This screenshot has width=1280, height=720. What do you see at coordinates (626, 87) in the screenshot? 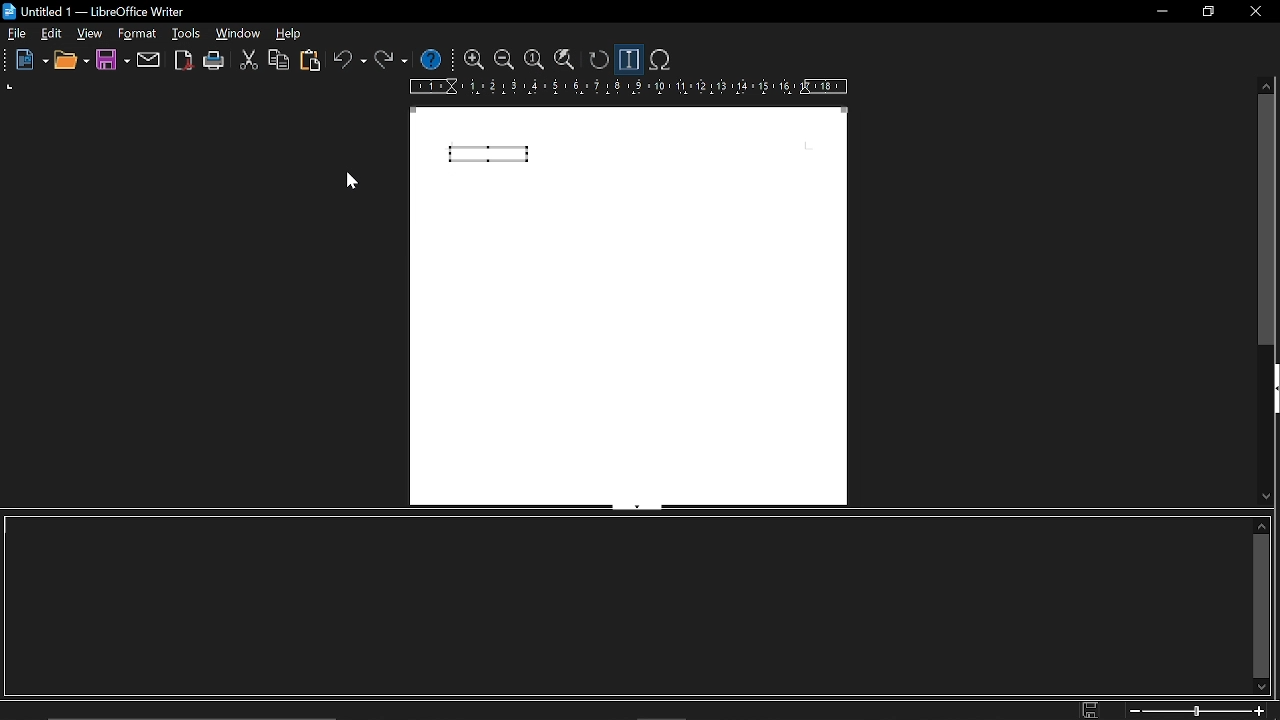
I see `scale` at bounding box center [626, 87].